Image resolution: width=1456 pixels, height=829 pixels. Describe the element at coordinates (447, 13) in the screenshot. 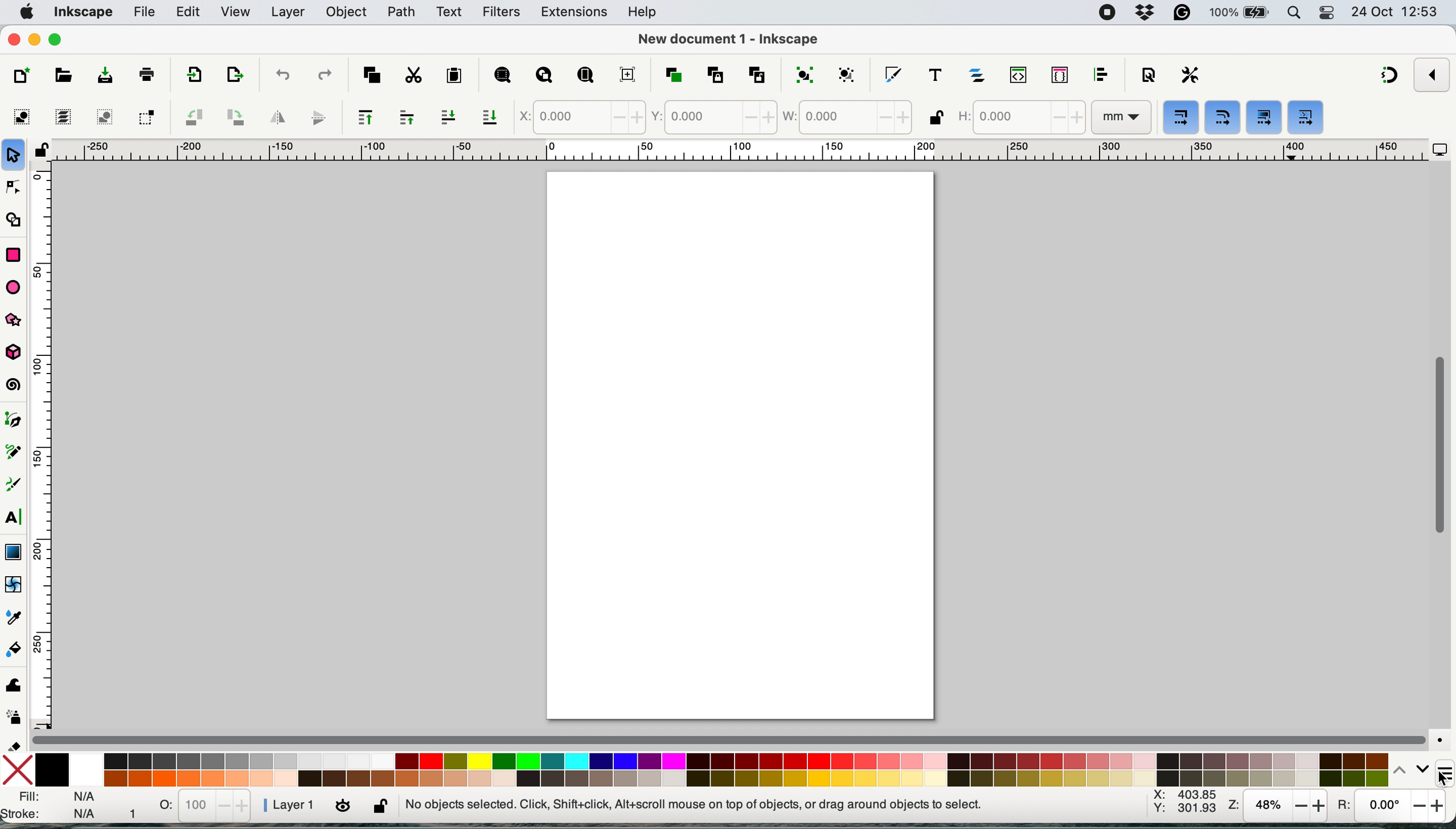

I see `text` at that location.